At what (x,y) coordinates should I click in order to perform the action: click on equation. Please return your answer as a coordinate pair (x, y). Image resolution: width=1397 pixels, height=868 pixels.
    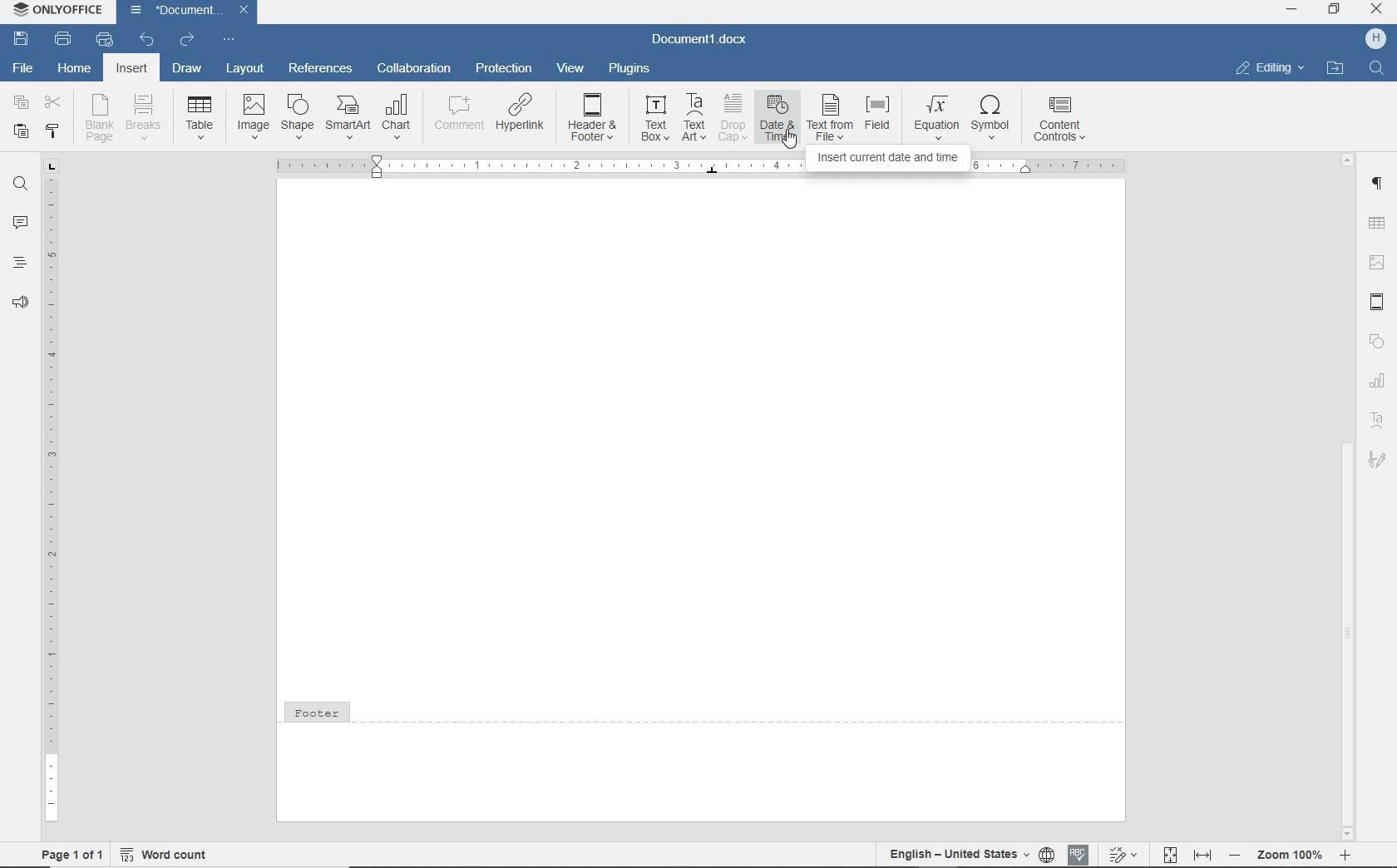
    Looking at the image, I should click on (937, 116).